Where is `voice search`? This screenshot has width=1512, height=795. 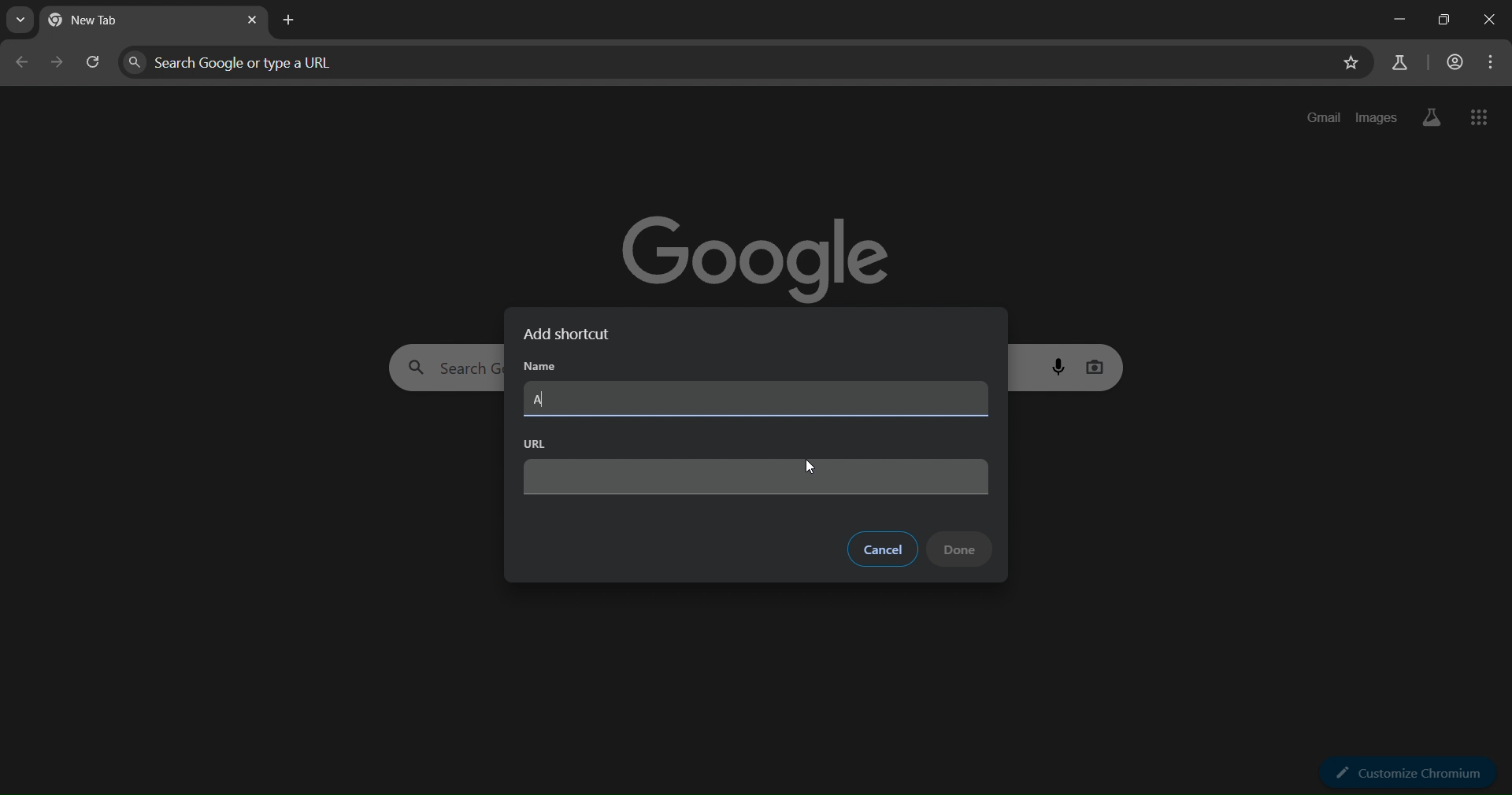
voice search is located at coordinates (1061, 366).